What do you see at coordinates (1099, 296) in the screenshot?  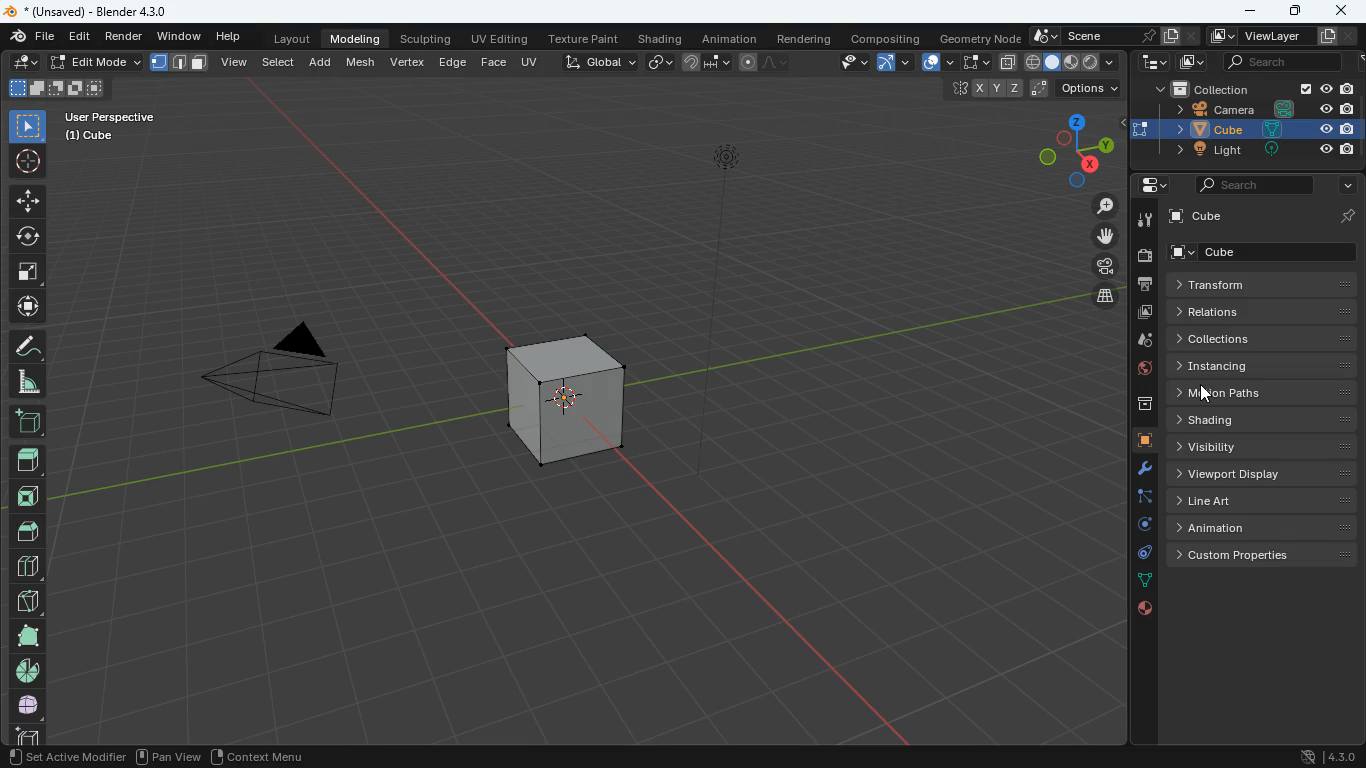 I see `layer` at bounding box center [1099, 296].